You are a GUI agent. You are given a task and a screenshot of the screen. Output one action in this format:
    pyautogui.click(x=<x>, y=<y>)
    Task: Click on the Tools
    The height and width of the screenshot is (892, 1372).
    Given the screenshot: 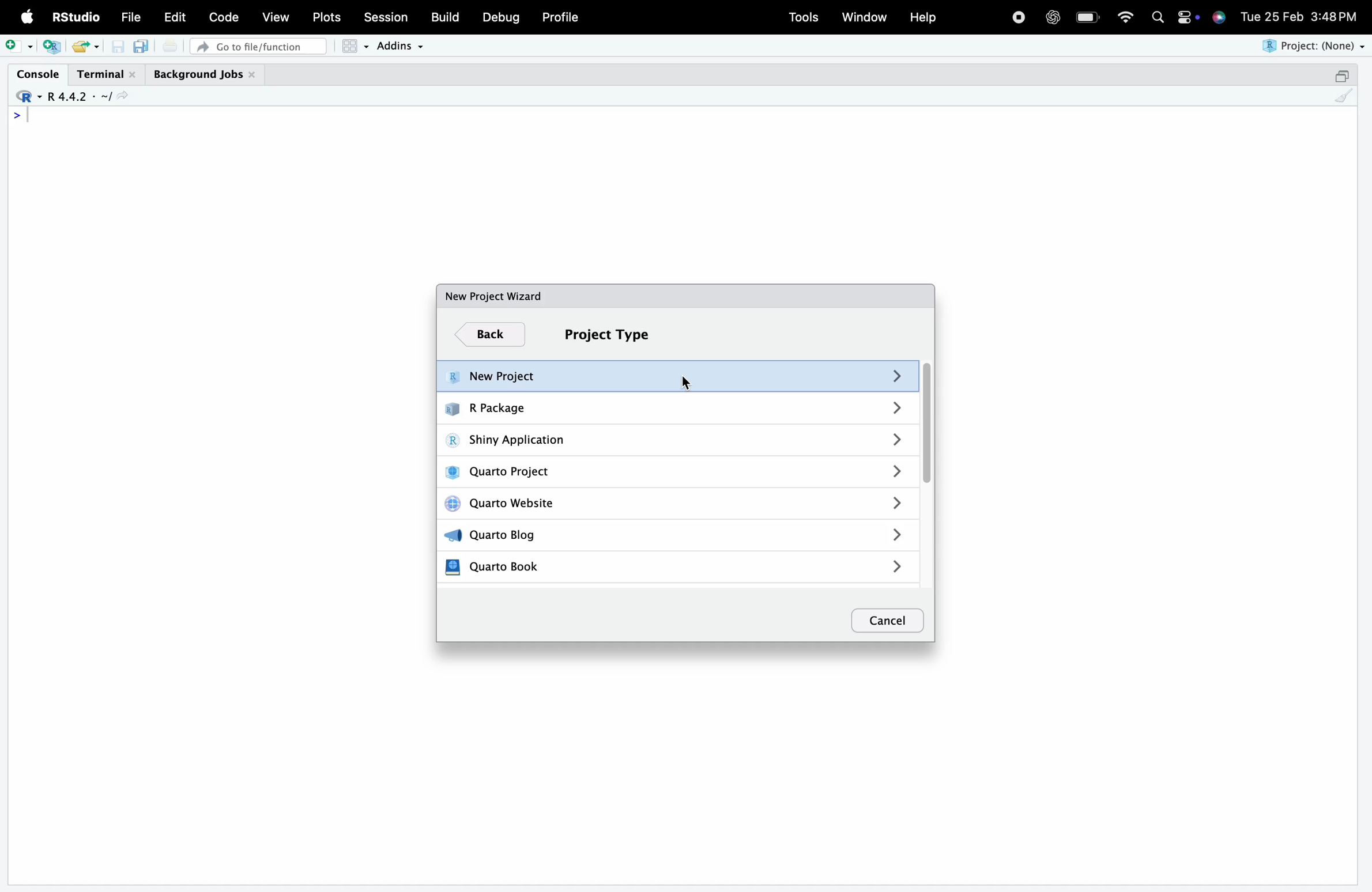 What is the action you would take?
    pyautogui.click(x=804, y=17)
    